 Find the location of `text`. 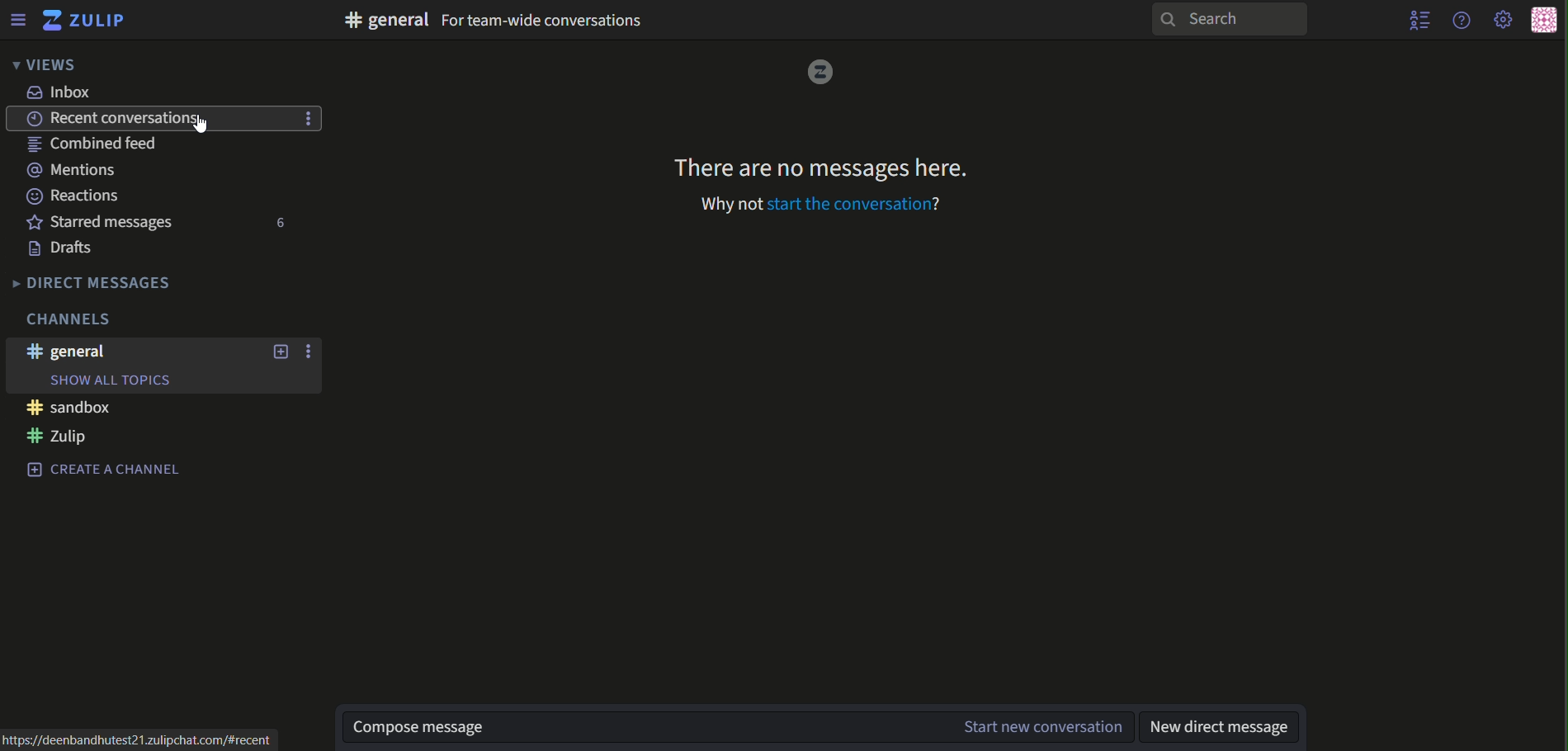

text is located at coordinates (75, 318).